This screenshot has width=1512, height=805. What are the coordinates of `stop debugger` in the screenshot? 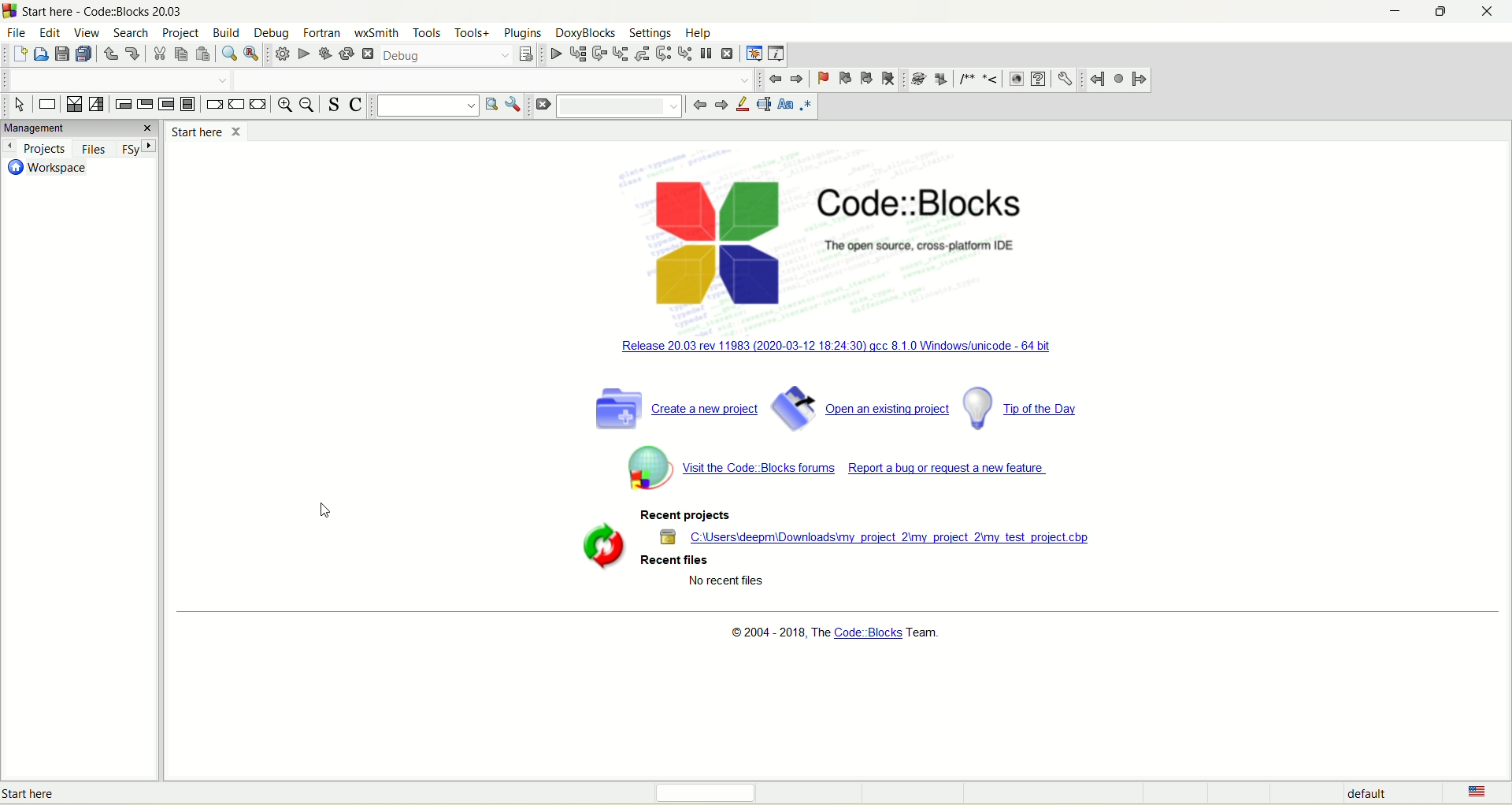 It's located at (731, 55).